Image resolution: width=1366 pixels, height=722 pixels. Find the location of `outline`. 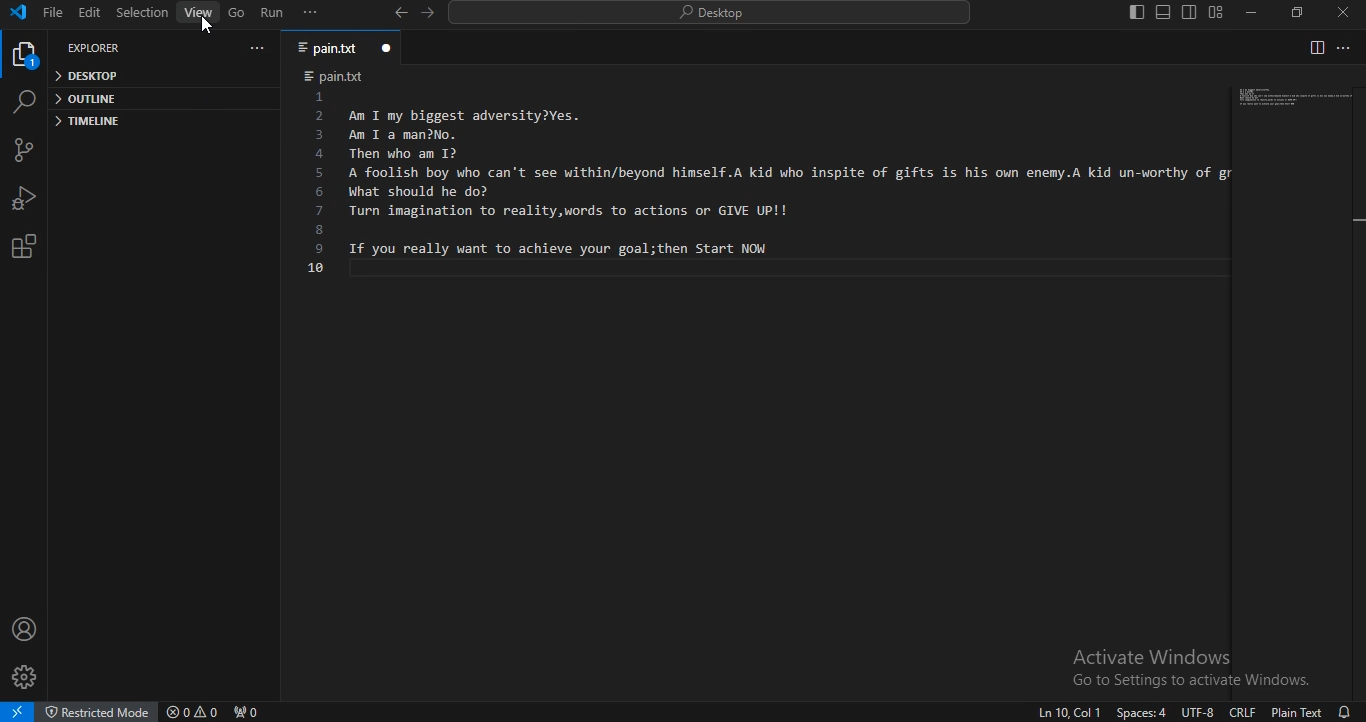

outline is located at coordinates (88, 99).